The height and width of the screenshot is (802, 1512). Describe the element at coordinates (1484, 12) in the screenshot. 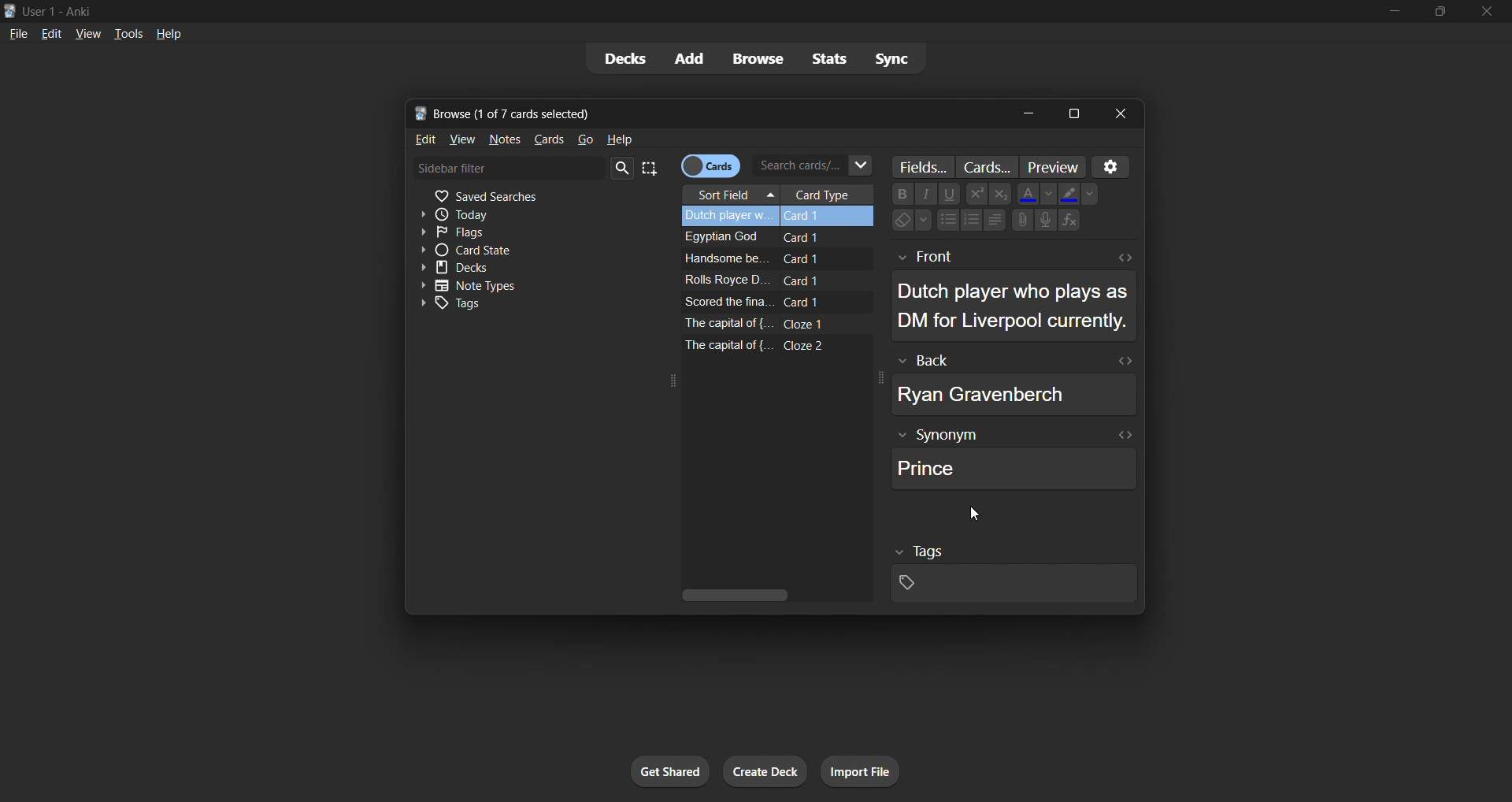

I see `close` at that location.